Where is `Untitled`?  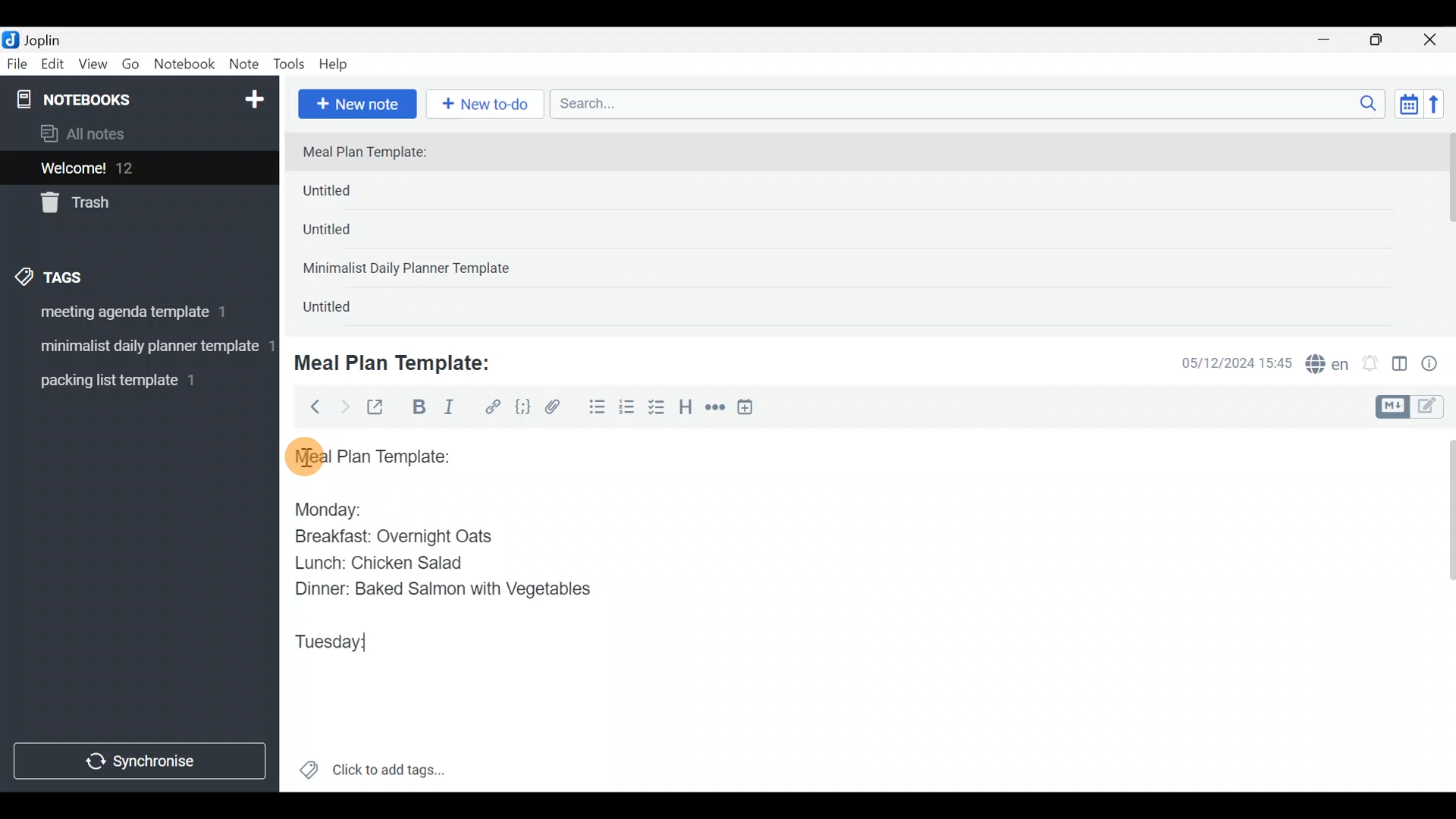
Untitled is located at coordinates (352, 194).